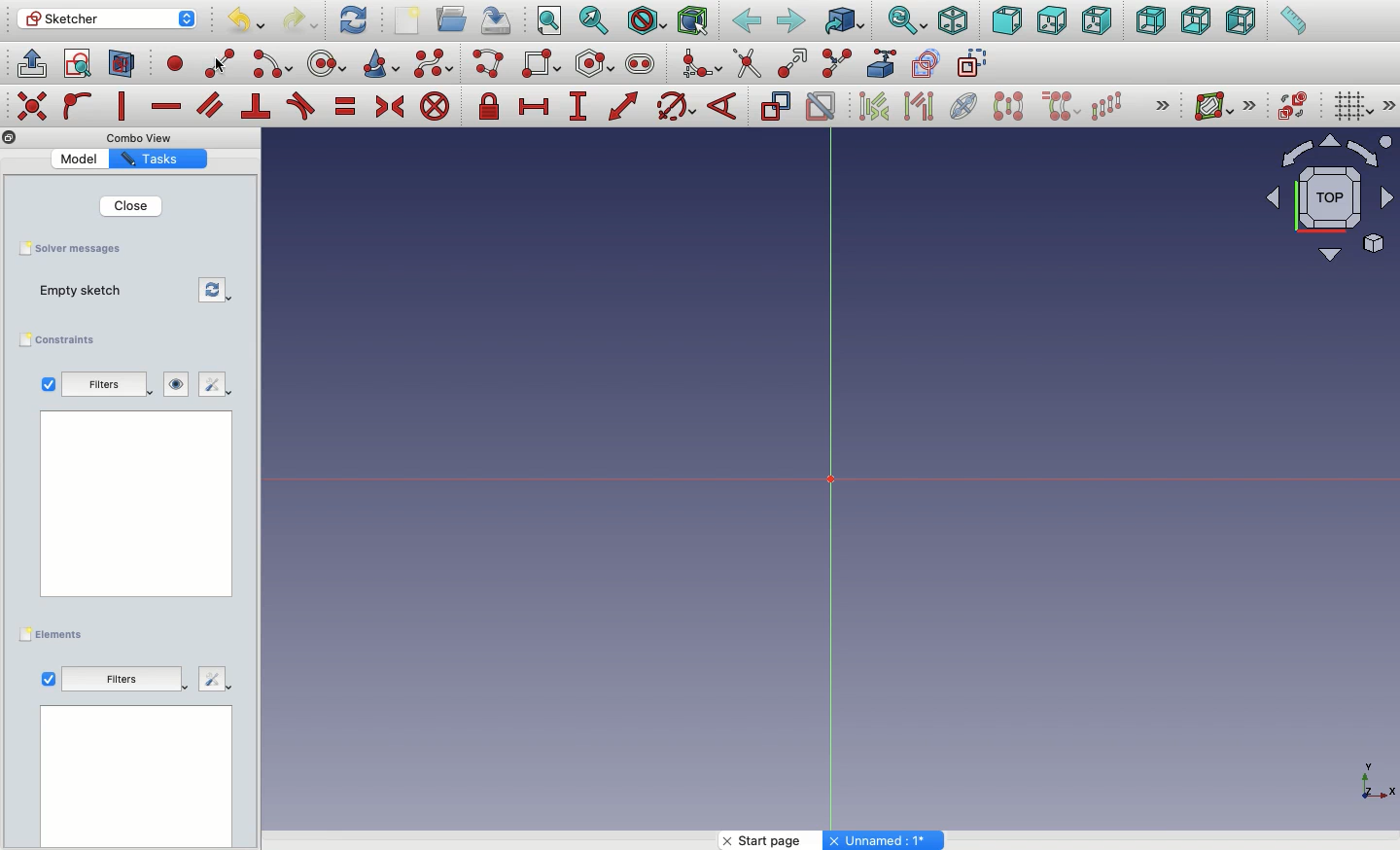  Describe the element at coordinates (81, 250) in the screenshot. I see `Save` at that location.